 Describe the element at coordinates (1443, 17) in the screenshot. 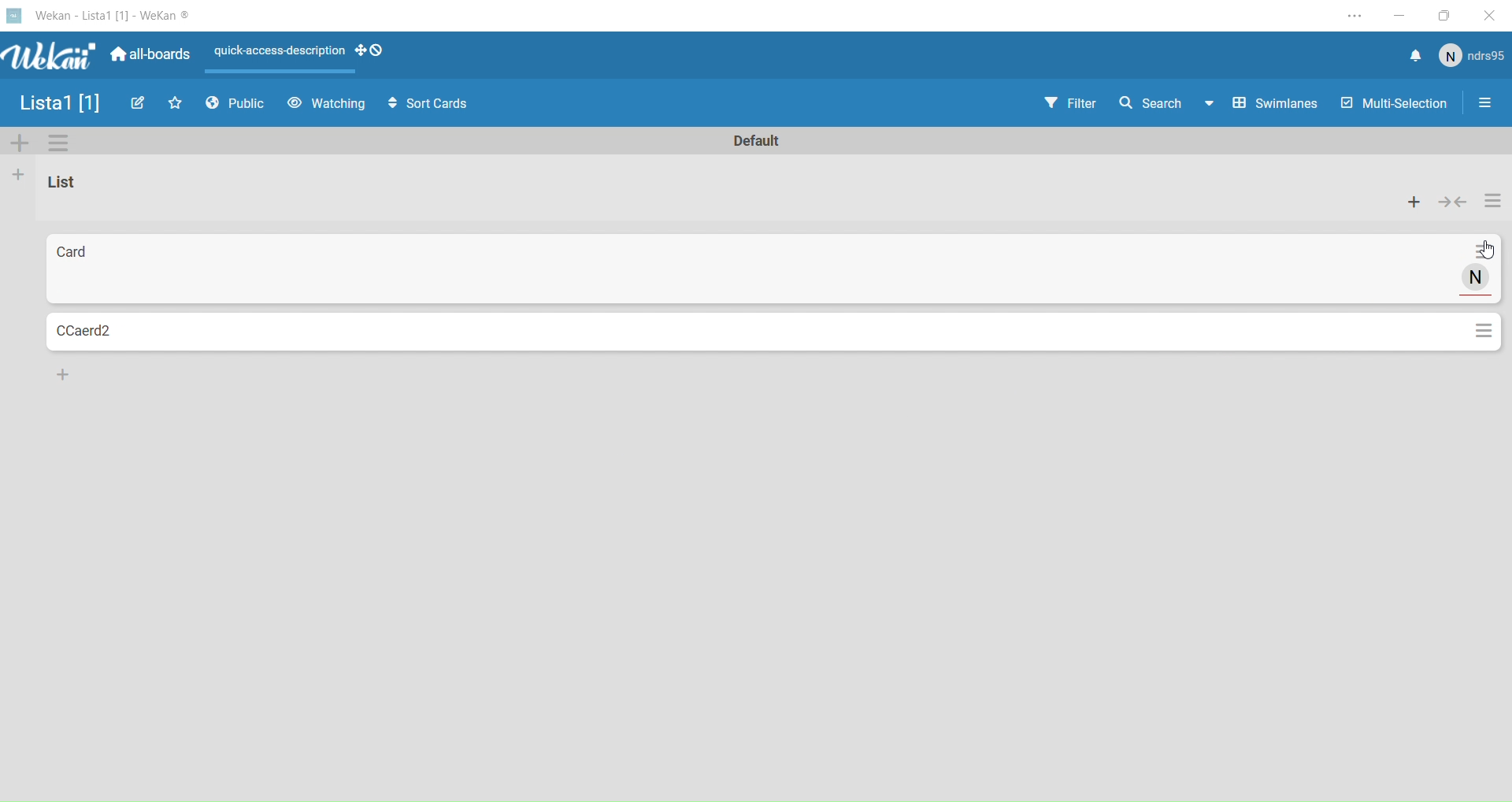

I see `Box` at that location.